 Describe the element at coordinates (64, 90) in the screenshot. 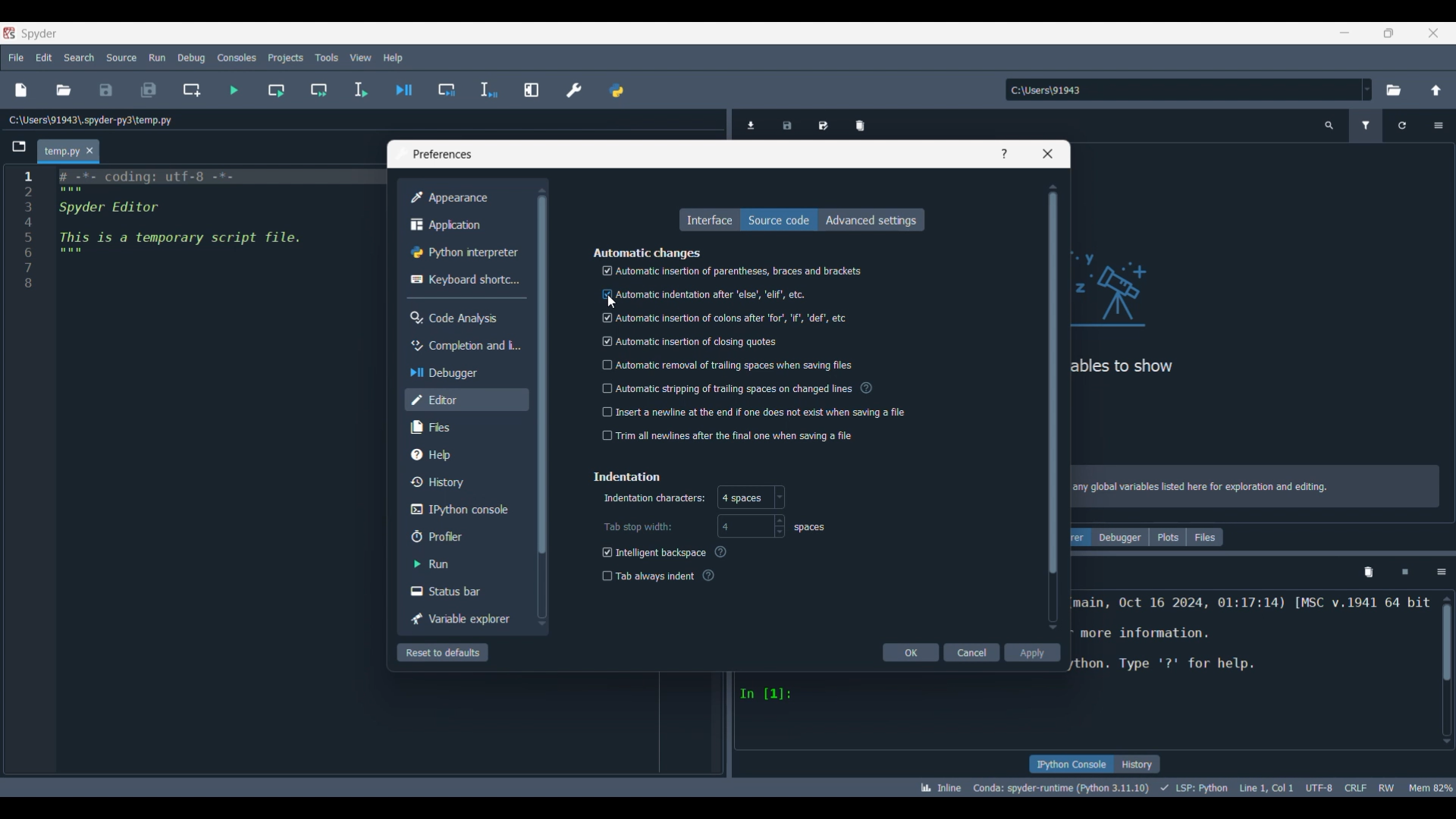

I see `Open file` at that location.